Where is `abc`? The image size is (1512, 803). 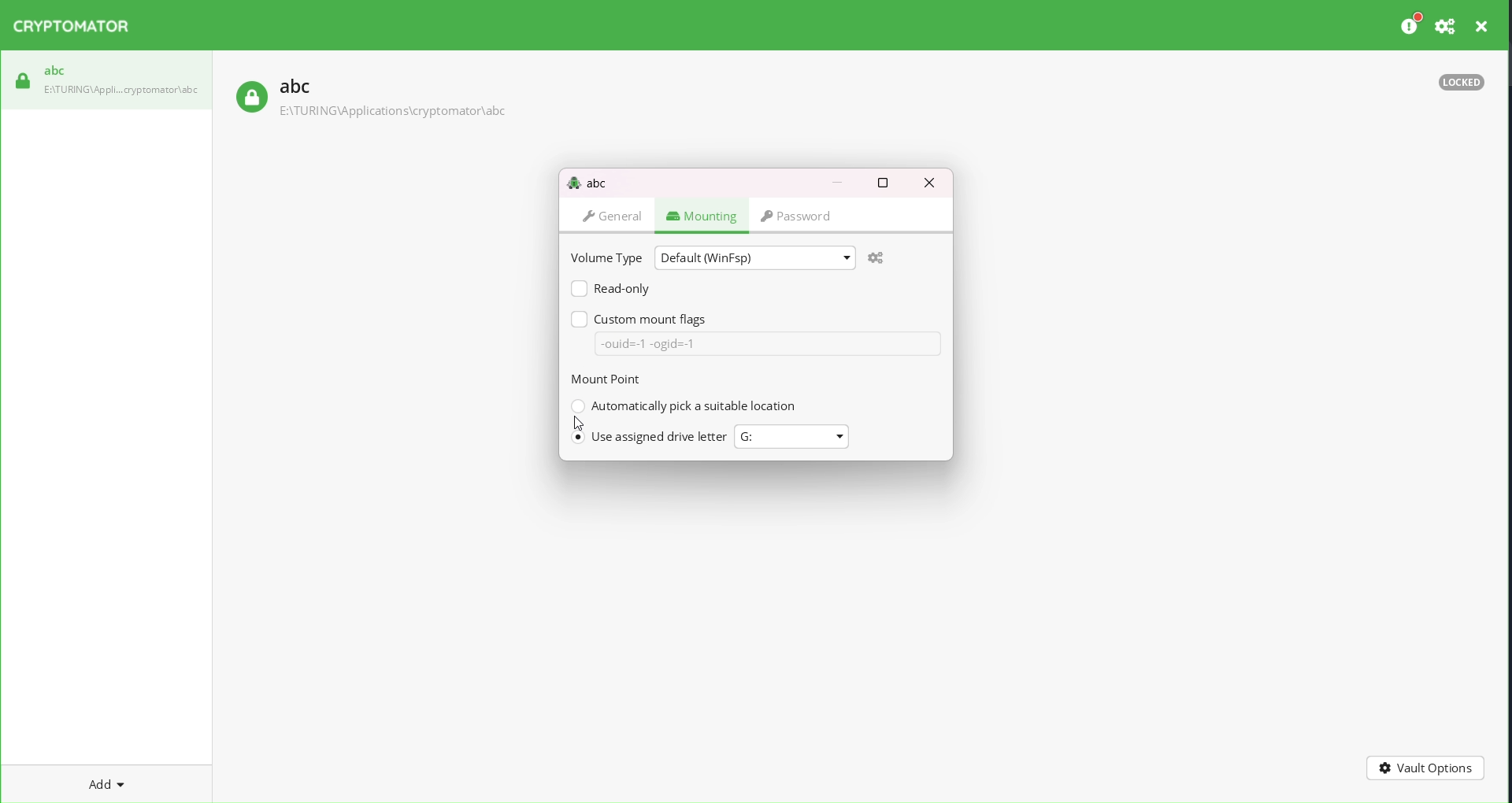 abc is located at coordinates (54, 70).